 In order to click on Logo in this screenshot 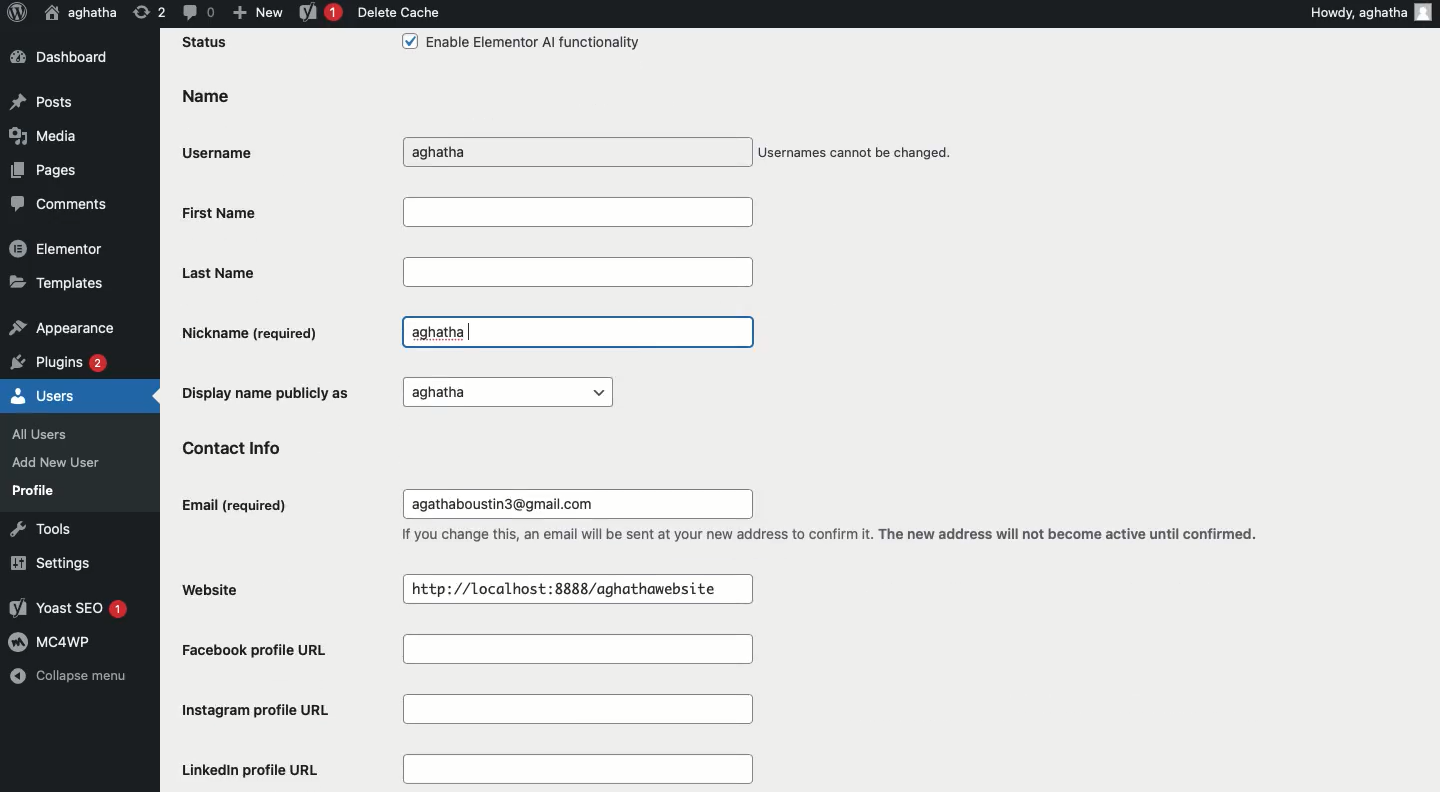, I will do `click(16, 13)`.